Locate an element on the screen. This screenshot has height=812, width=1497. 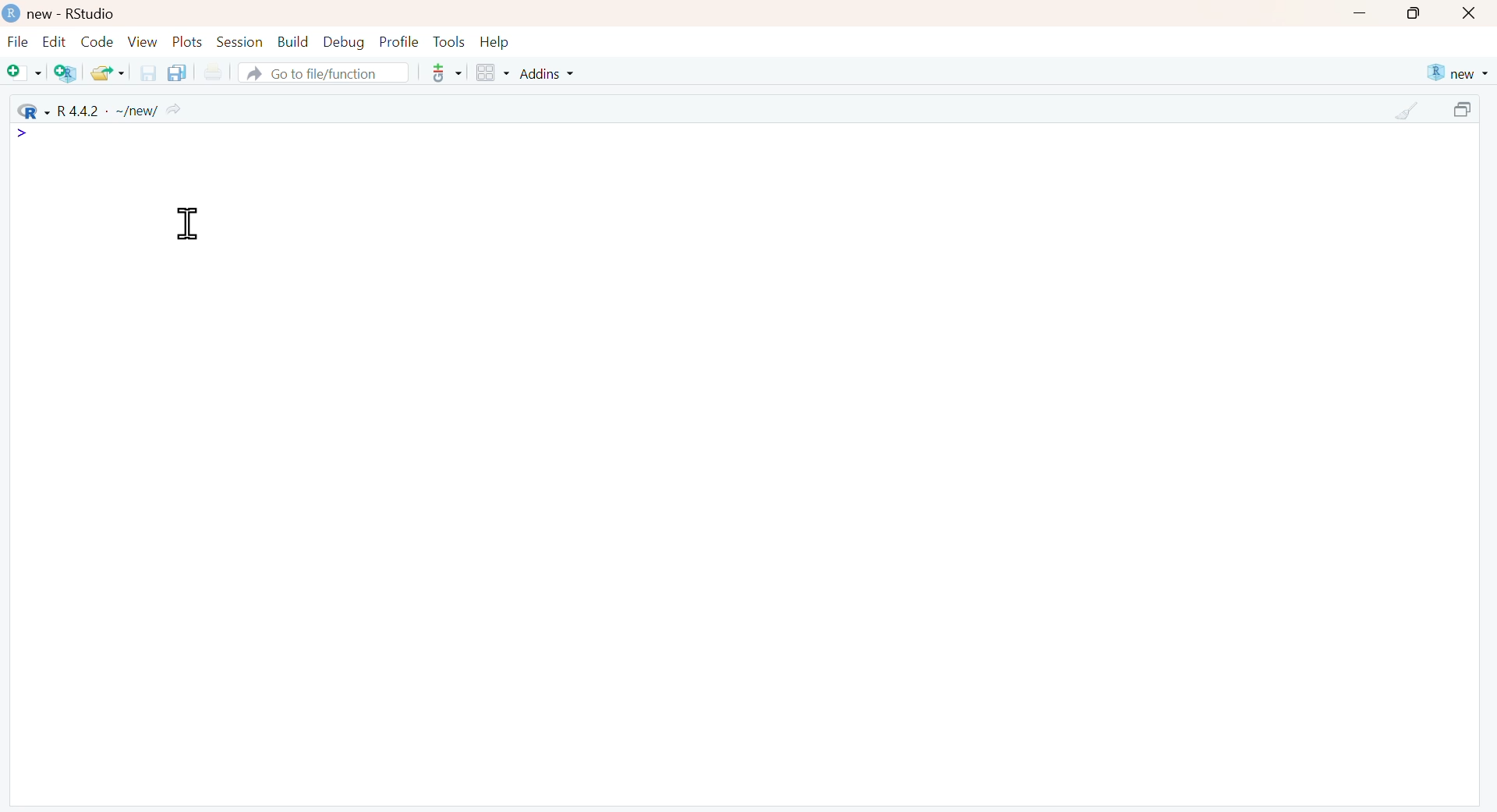
Edit is located at coordinates (53, 42).